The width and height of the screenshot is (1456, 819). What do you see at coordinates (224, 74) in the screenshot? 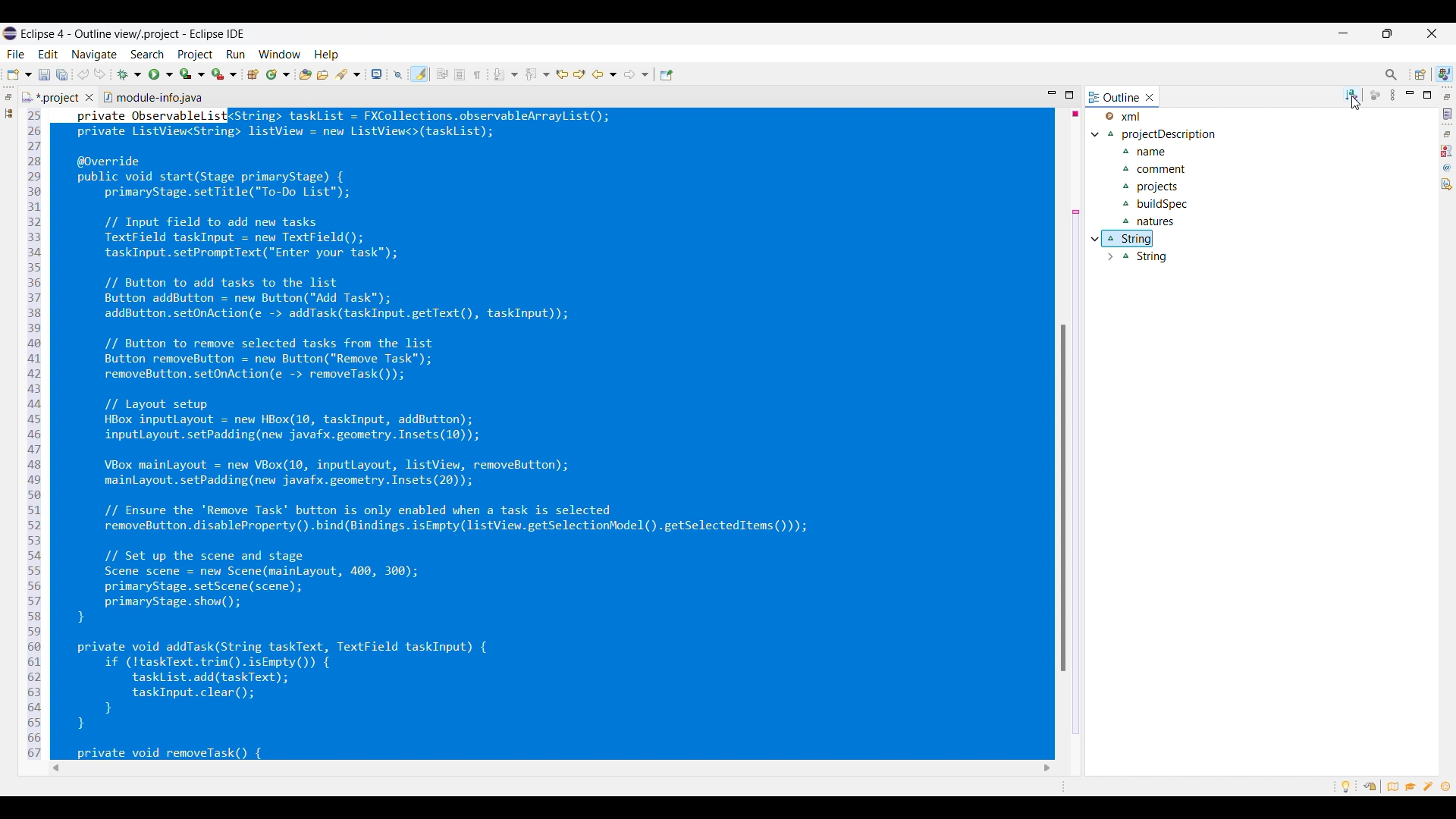
I see `Run last tool options` at bounding box center [224, 74].